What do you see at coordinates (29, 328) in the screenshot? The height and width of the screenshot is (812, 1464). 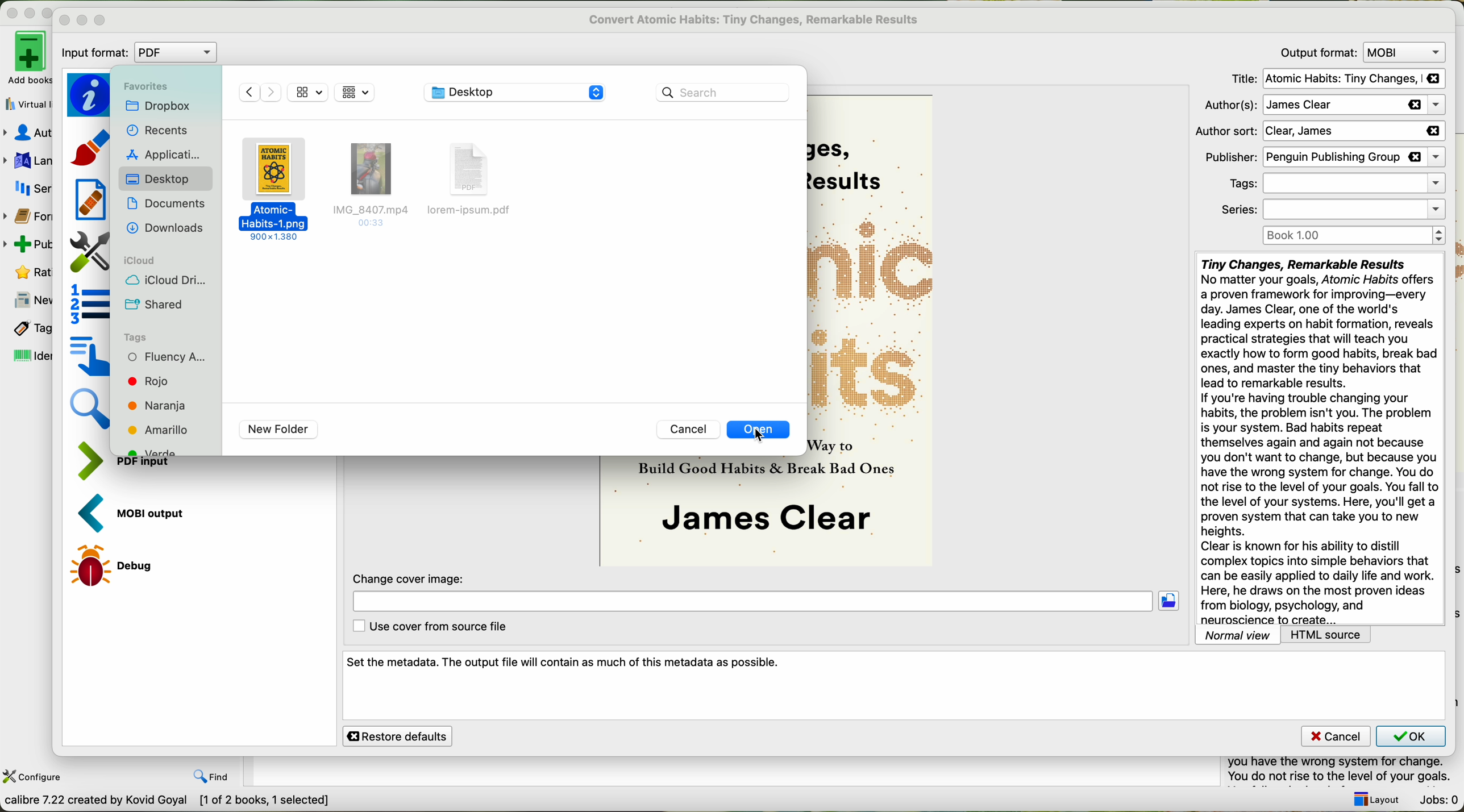 I see `tags` at bounding box center [29, 328].